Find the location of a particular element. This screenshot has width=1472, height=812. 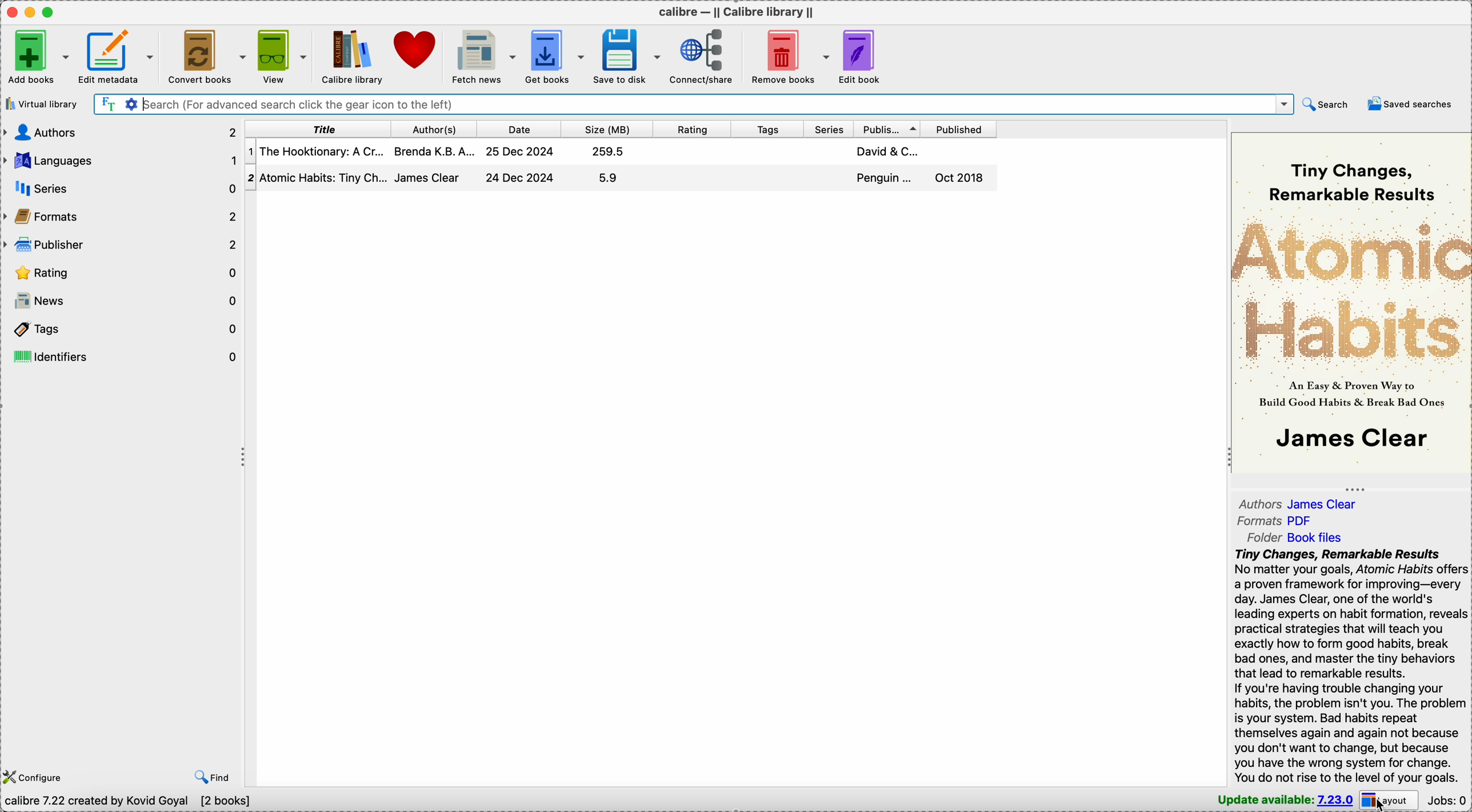

layout is located at coordinates (1390, 800).